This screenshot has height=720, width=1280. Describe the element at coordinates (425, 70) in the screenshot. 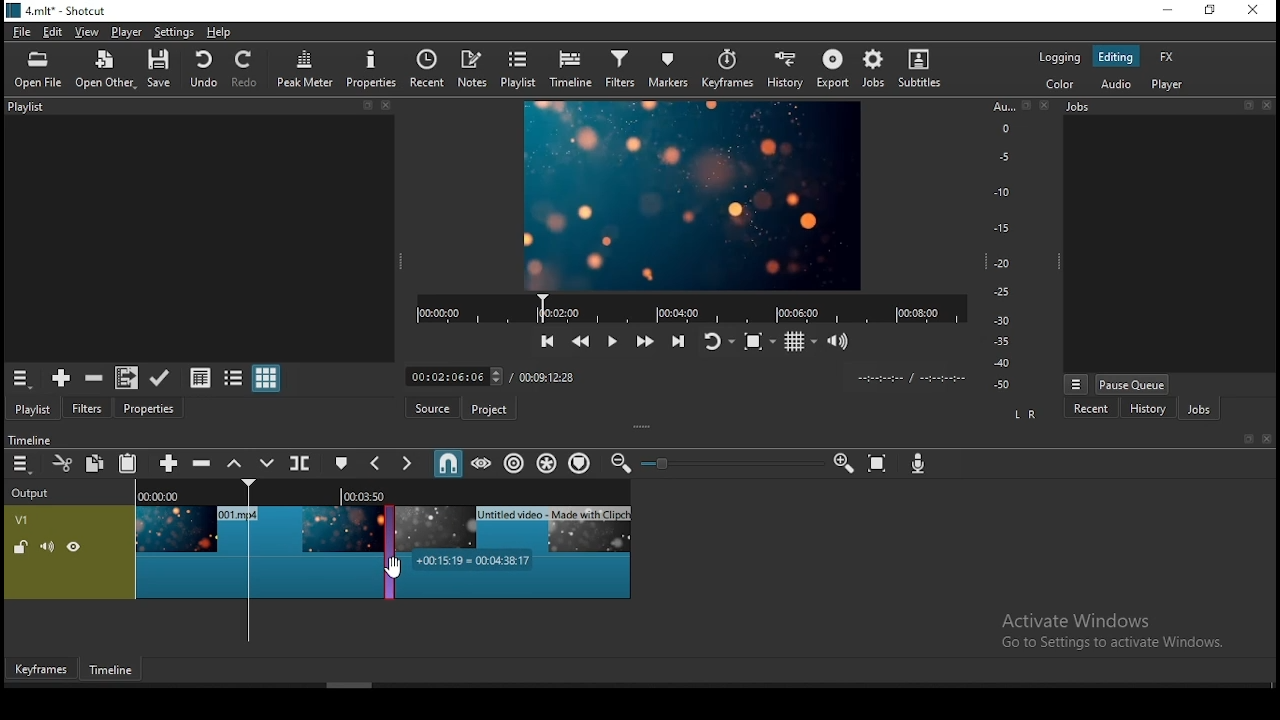

I see `recent` at that location.